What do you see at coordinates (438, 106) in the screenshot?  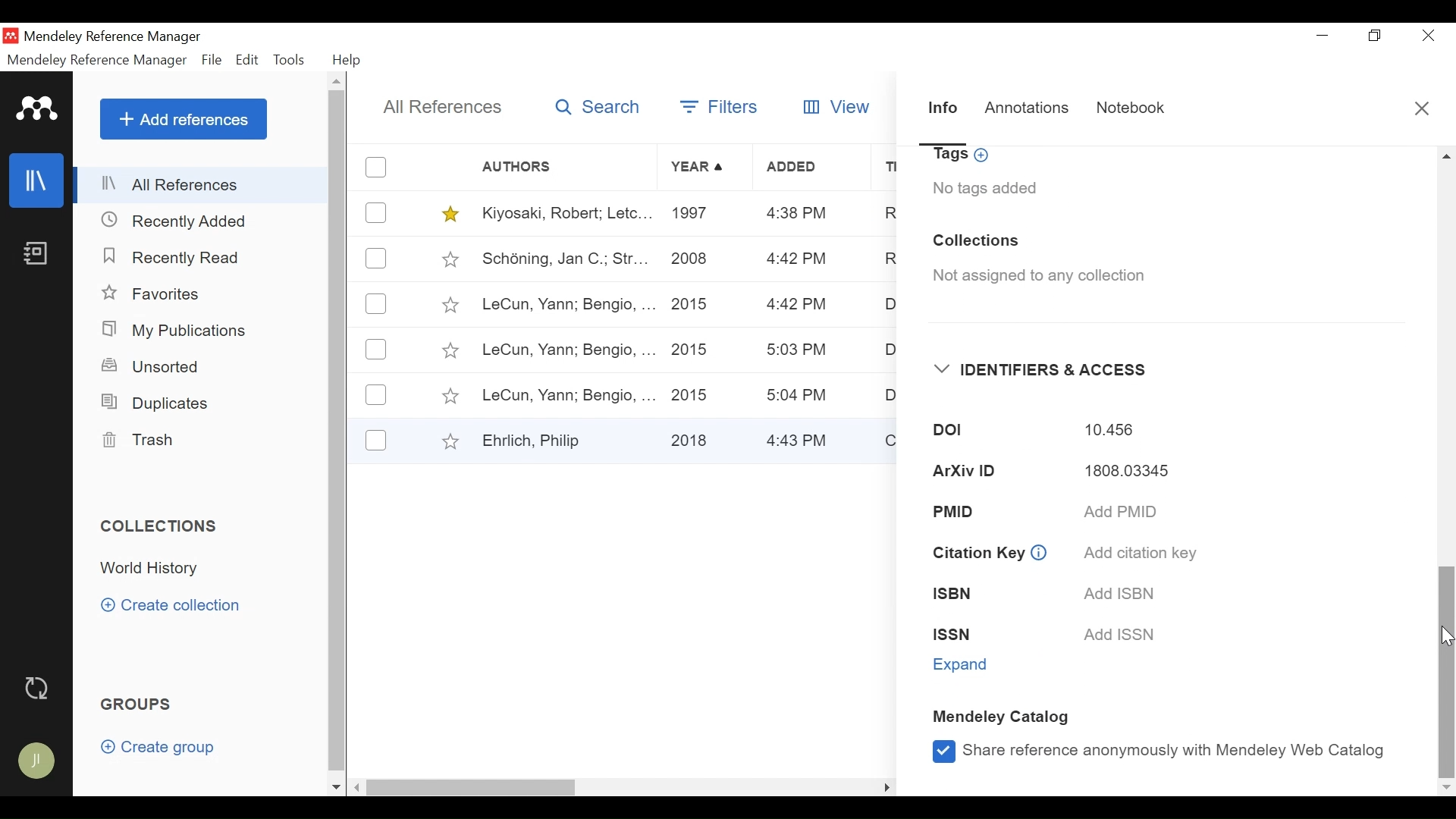 I see `All References` at bounding box center [438, 106].